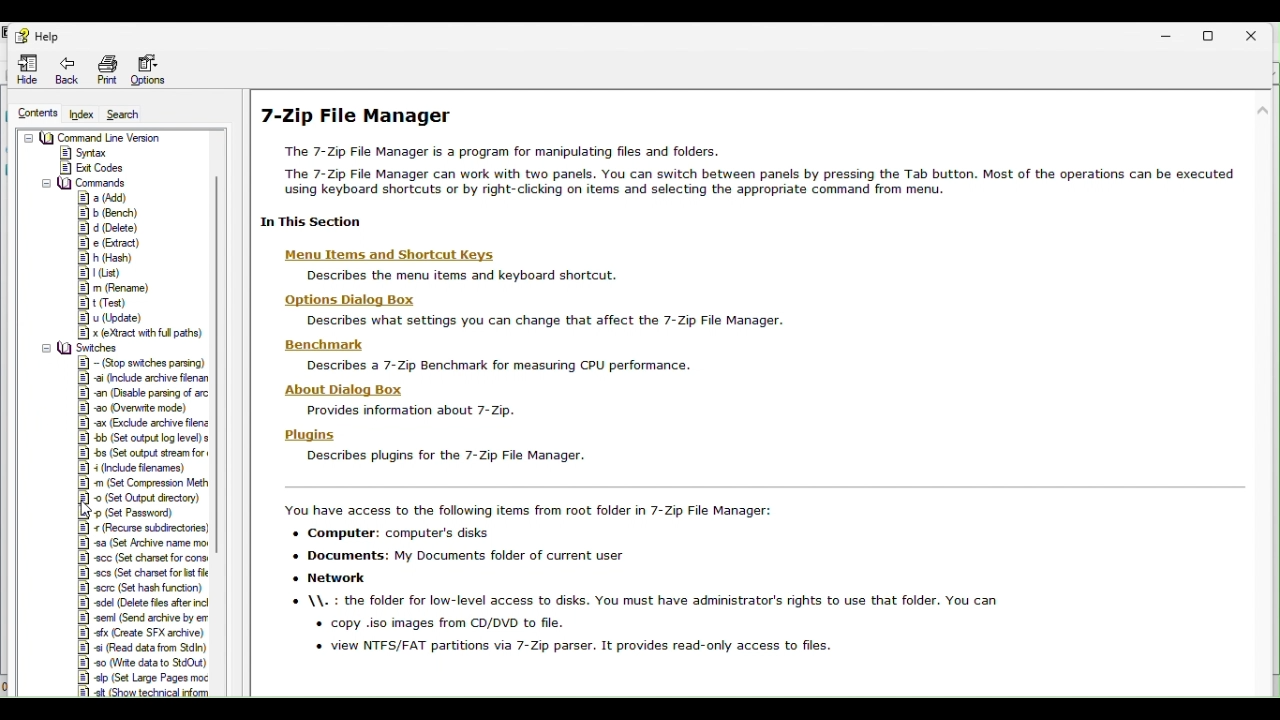 The height and width of the screenshot is (720, 1280). What do you see at coordinates (139, 470) in the screenshot?
I see `Include filenames` at bounding box center [139, 470].